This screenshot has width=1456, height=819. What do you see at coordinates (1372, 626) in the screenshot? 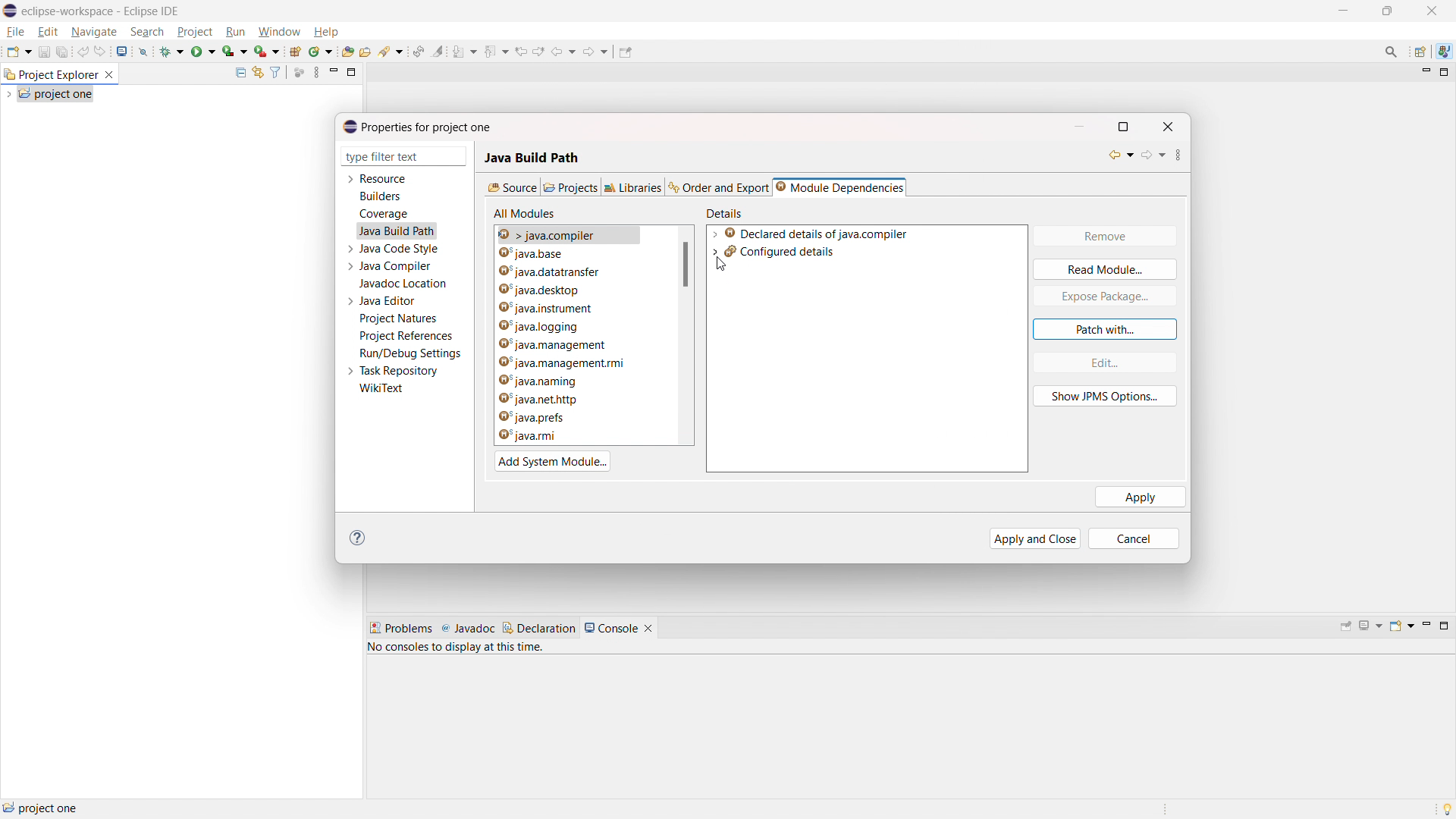
I see `display selected console` at bounding box center [1372, 626].